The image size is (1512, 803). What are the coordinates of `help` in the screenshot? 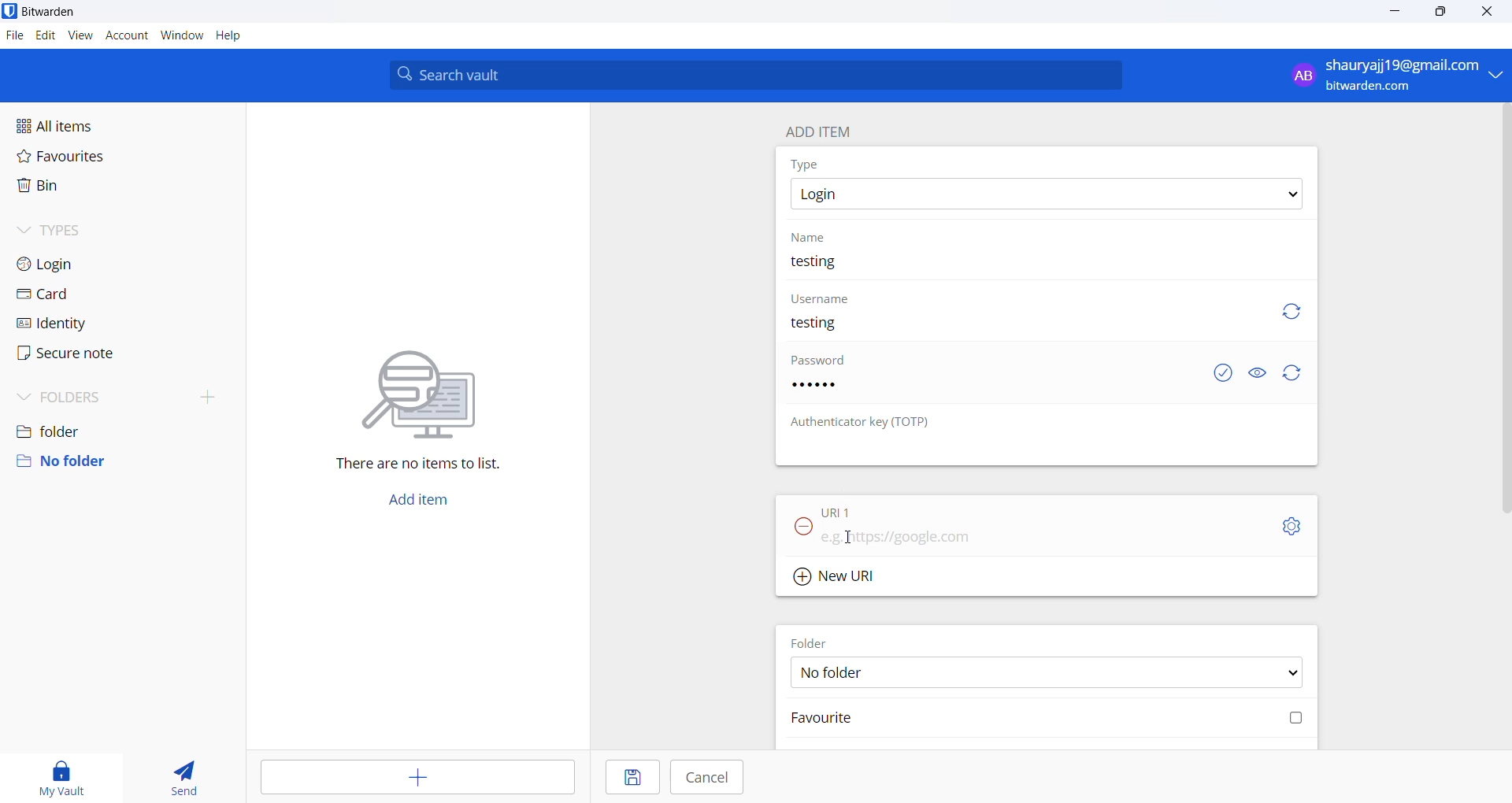 It's located at (231, 37).